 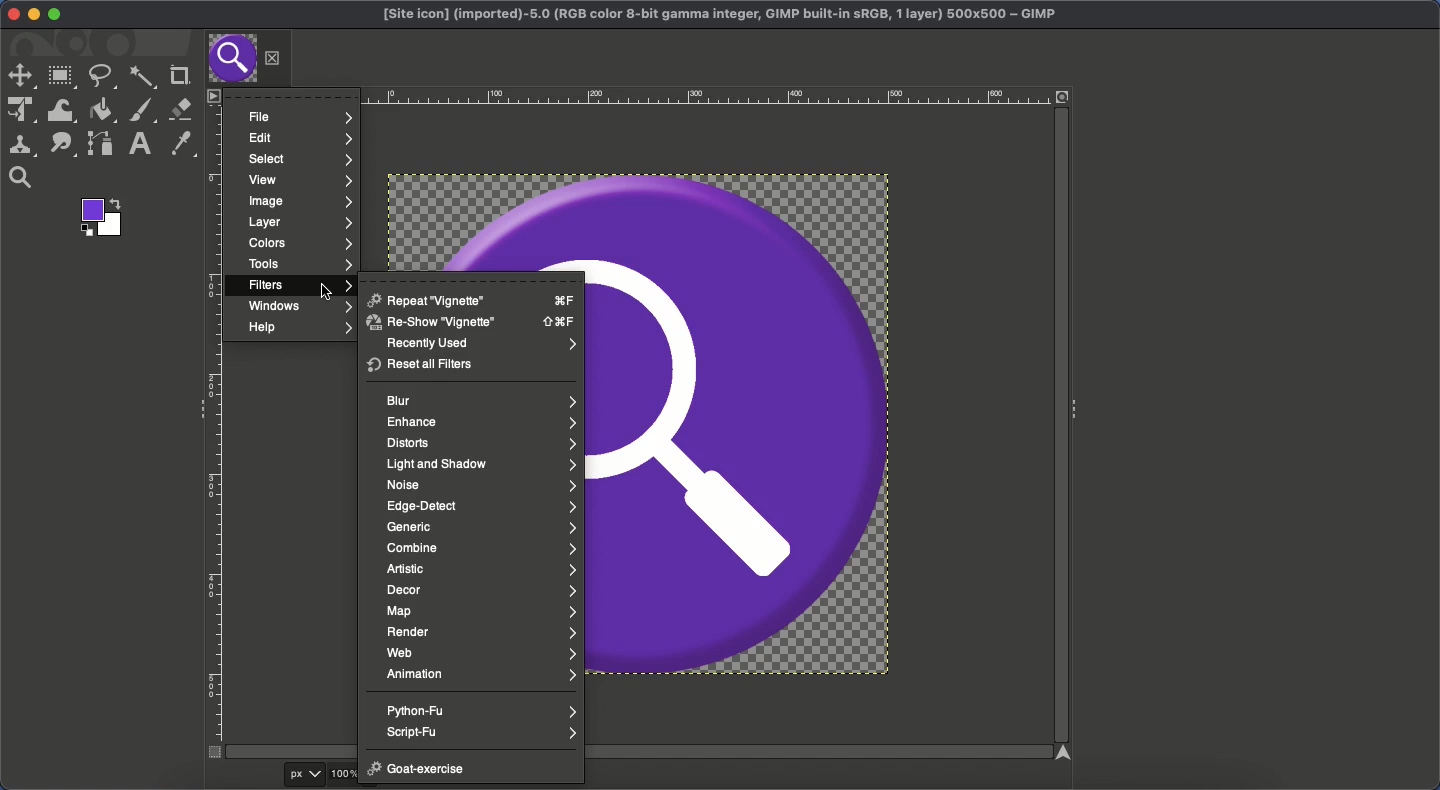 I want to click on Map, so click(x=480, y=610).